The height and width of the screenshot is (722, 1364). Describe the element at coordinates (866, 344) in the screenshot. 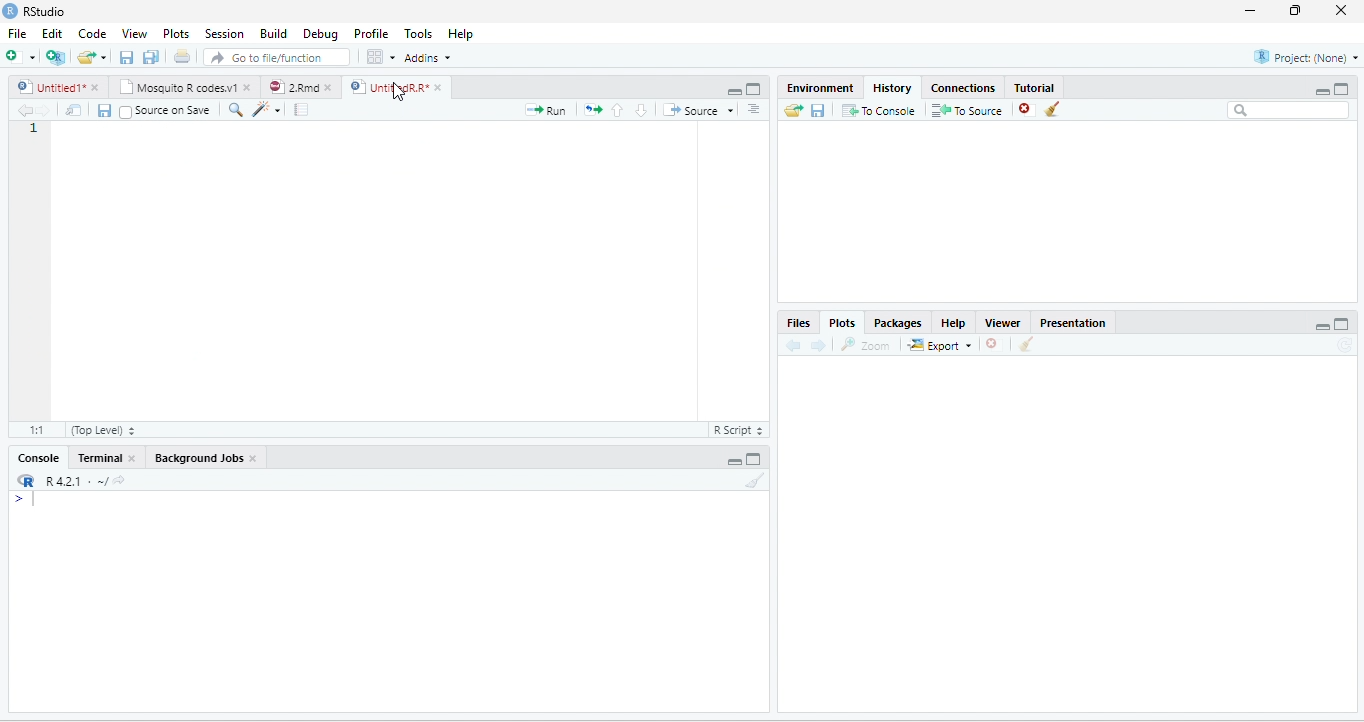

I see `zoom` at that location.